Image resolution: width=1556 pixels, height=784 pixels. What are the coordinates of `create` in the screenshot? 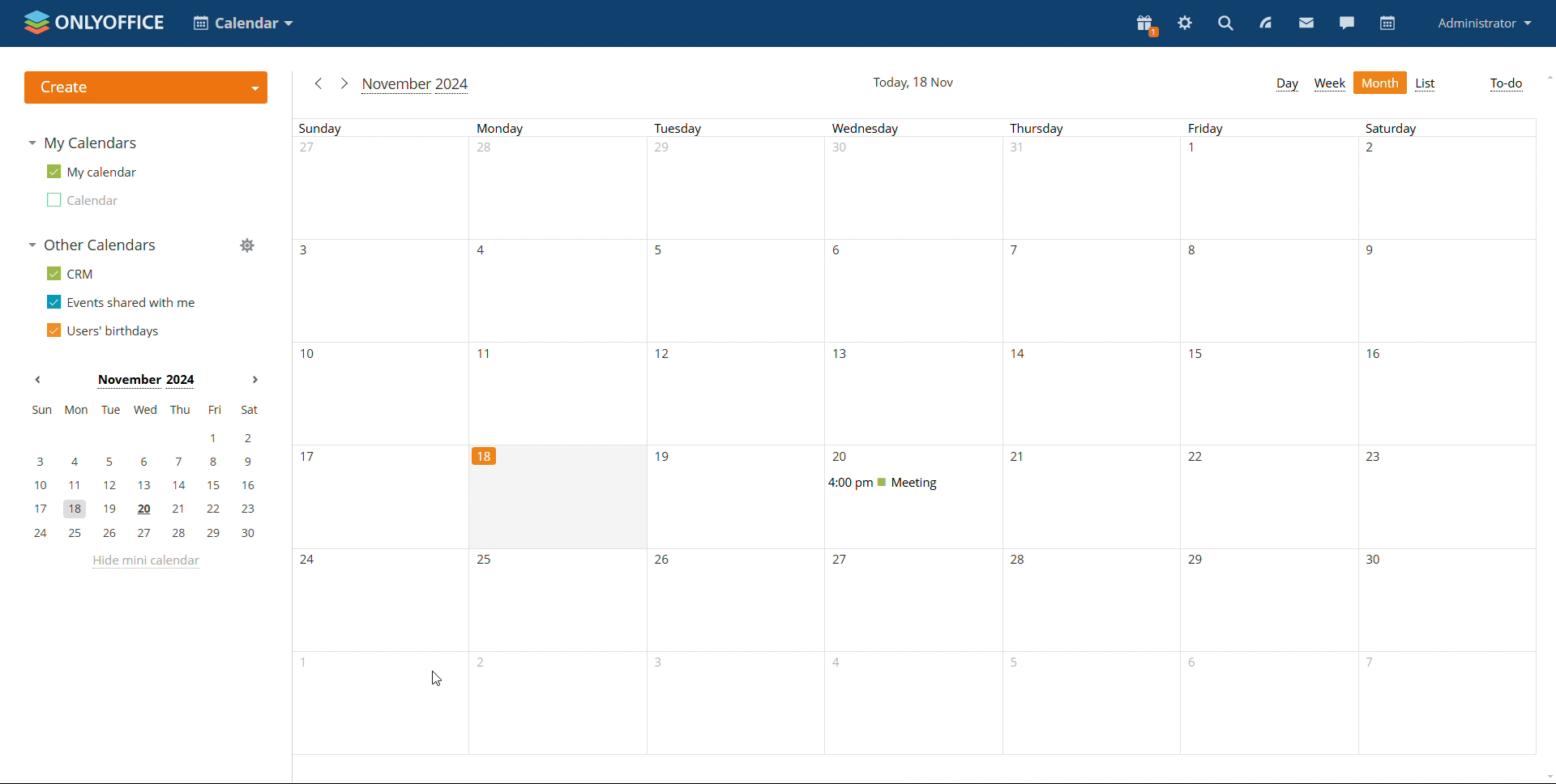 It's located at (147, 88).